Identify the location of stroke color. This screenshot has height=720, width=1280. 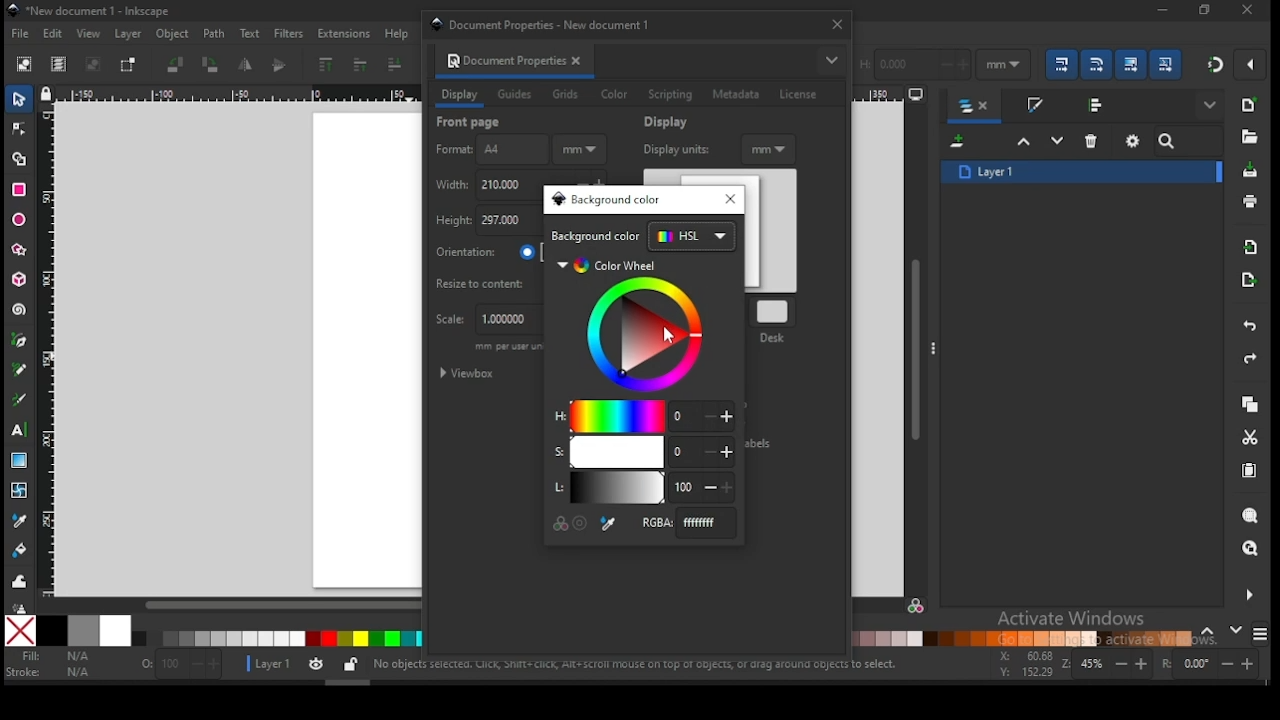
(49, 671).